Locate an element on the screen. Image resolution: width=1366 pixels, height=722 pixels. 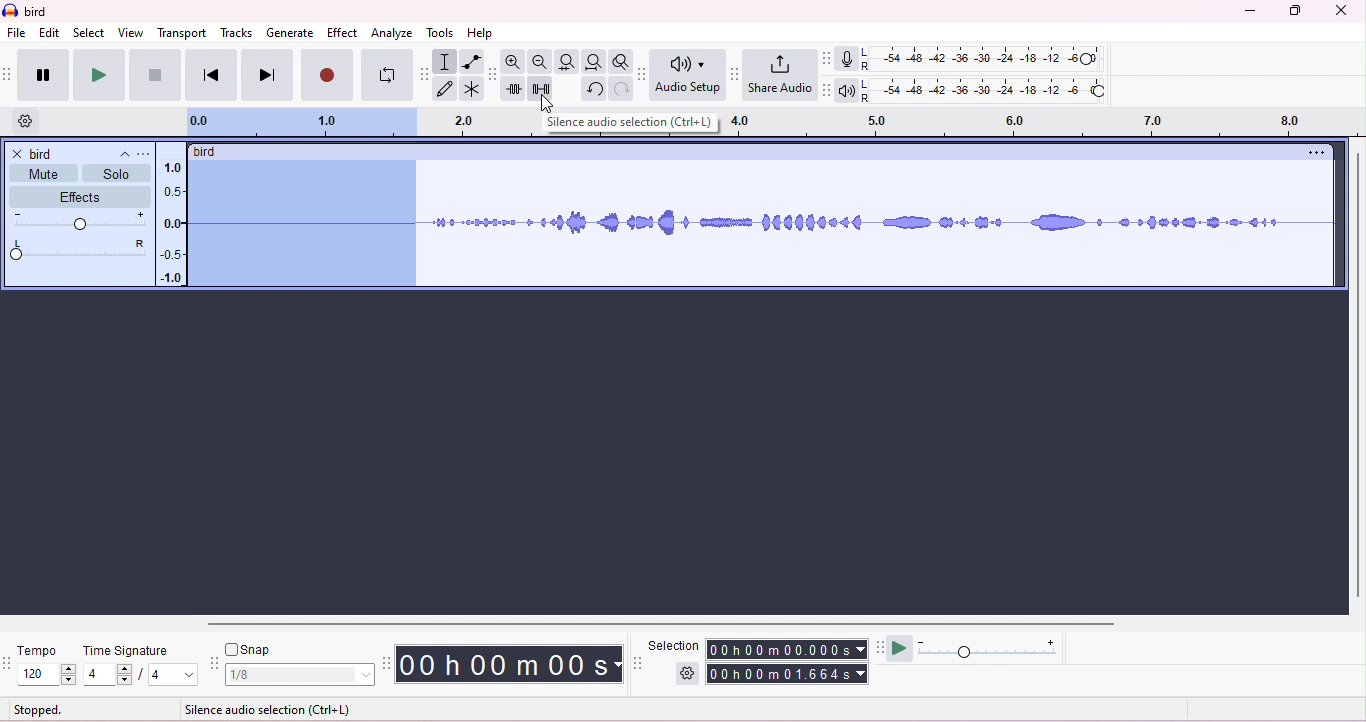
options is located at coordinates (1313, 154).